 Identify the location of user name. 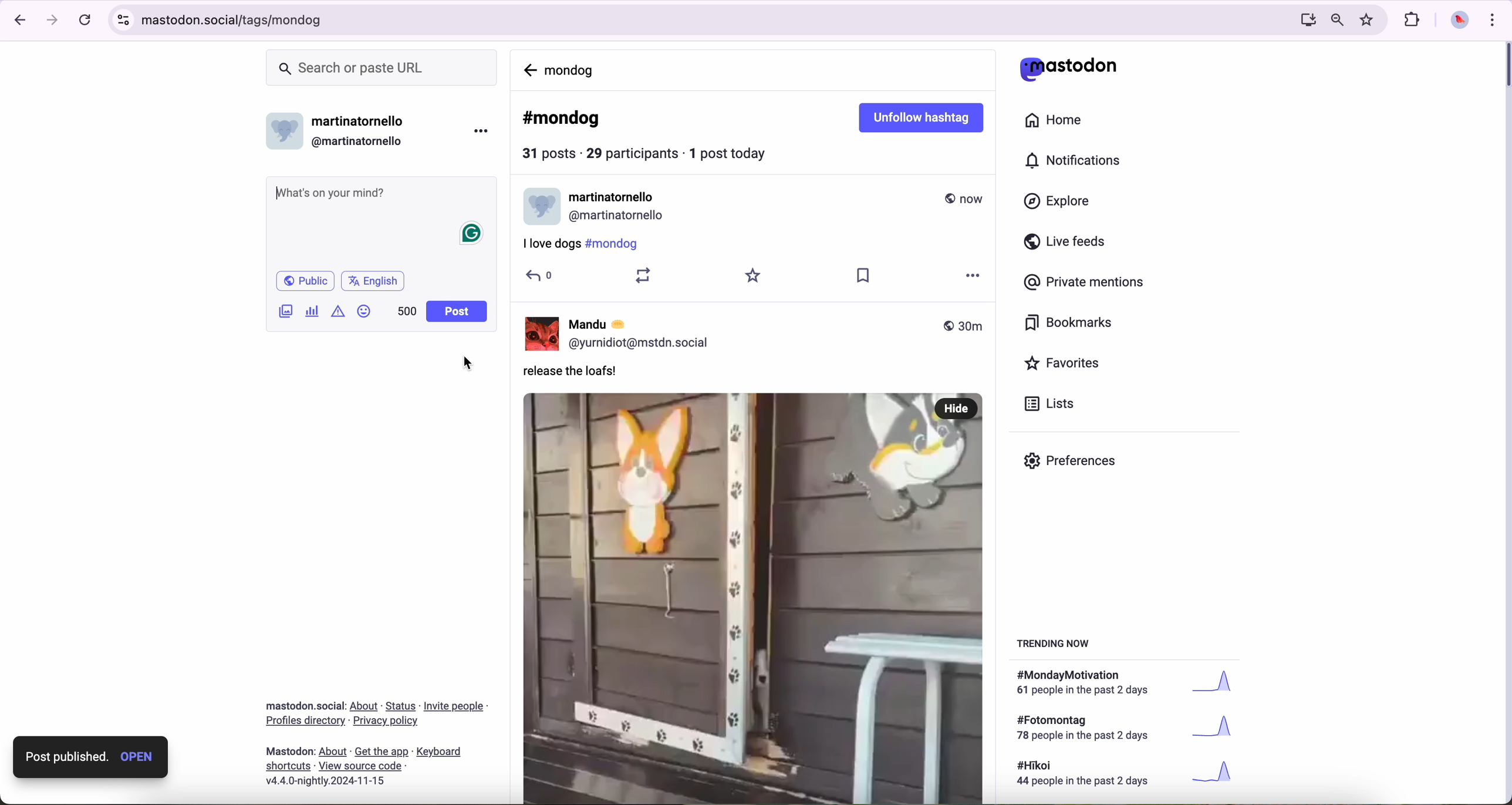
(607, 197).